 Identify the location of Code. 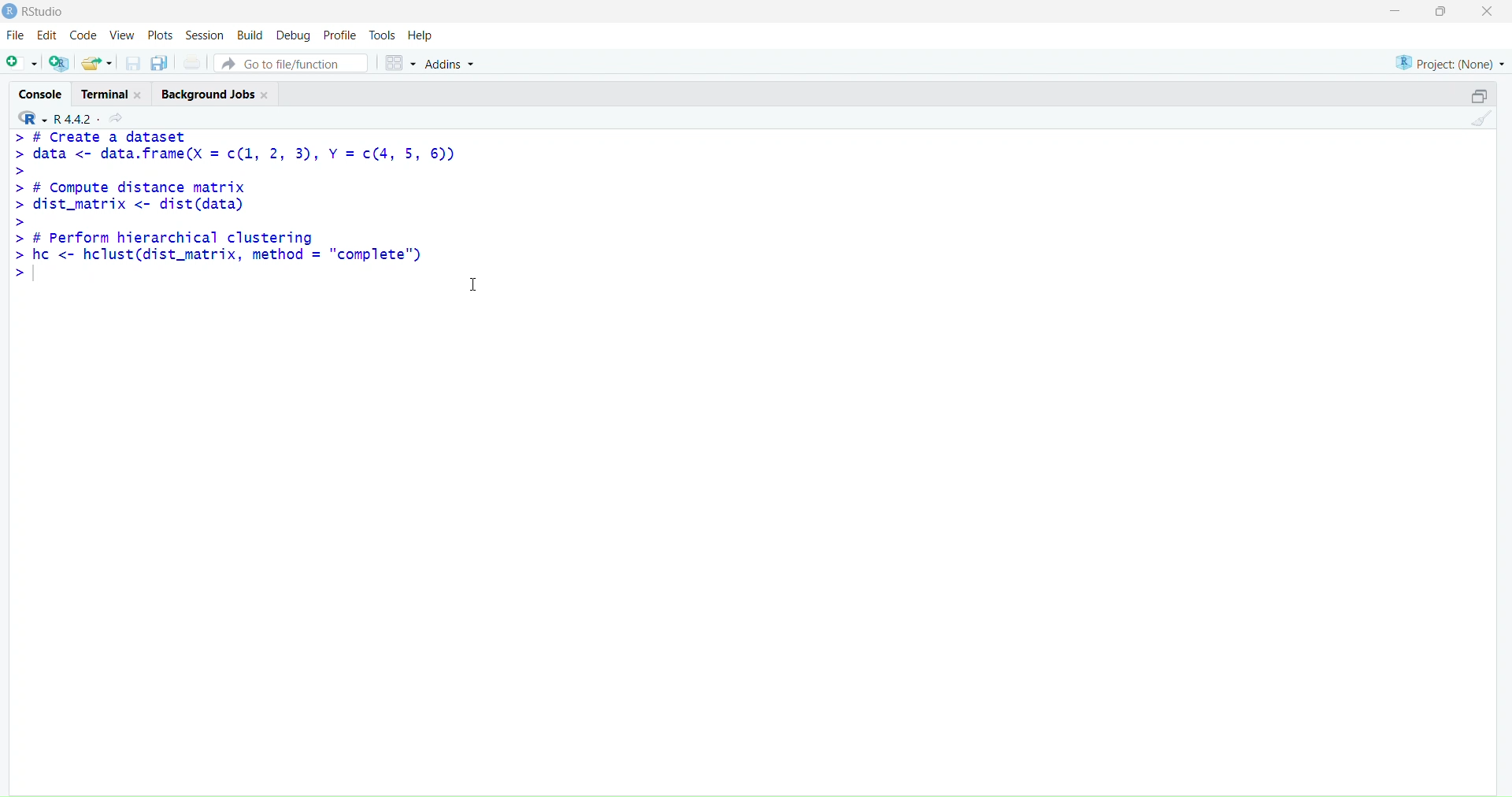
(84, 36).